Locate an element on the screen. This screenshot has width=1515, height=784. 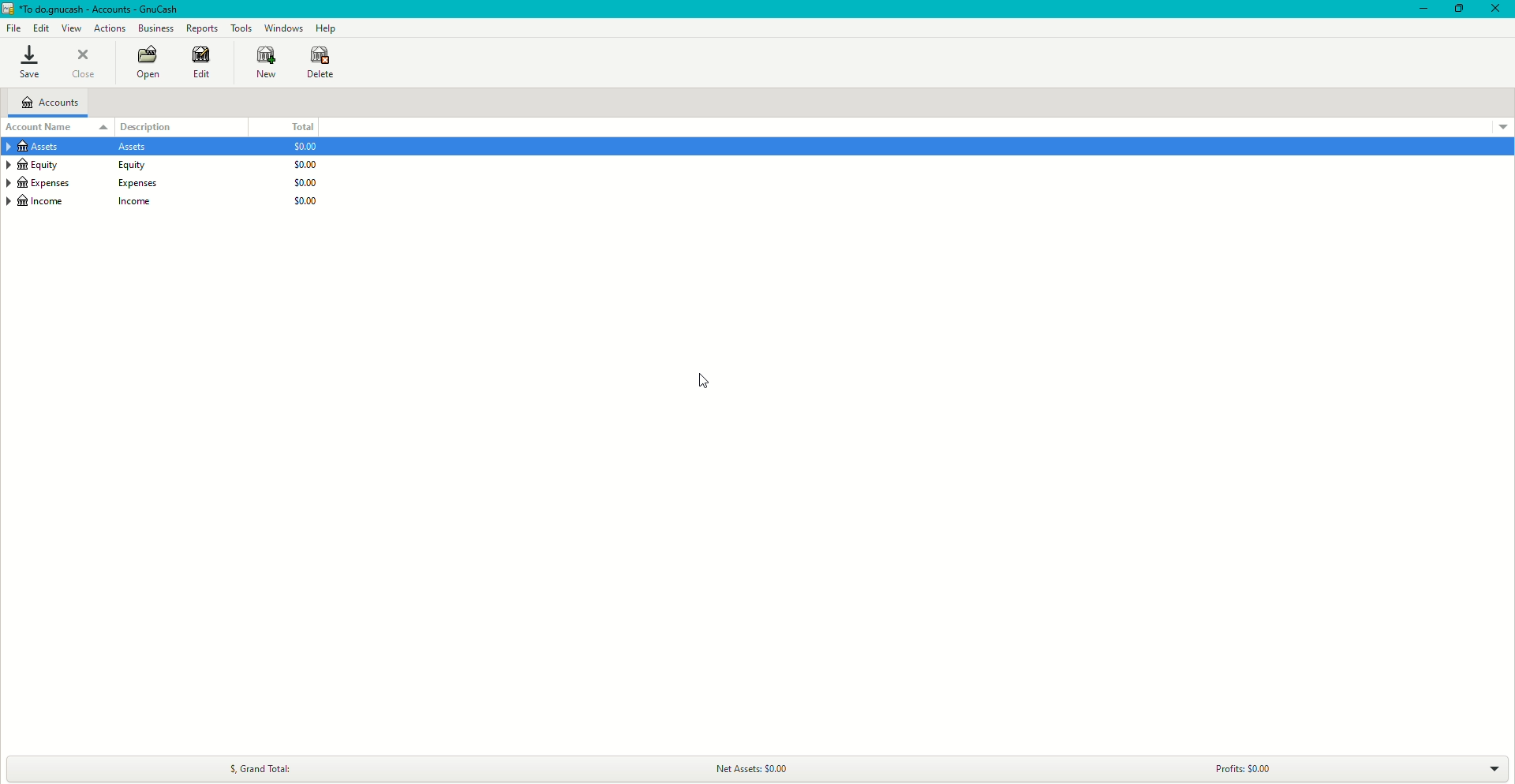
$0 is located at coordinates (300, 178).